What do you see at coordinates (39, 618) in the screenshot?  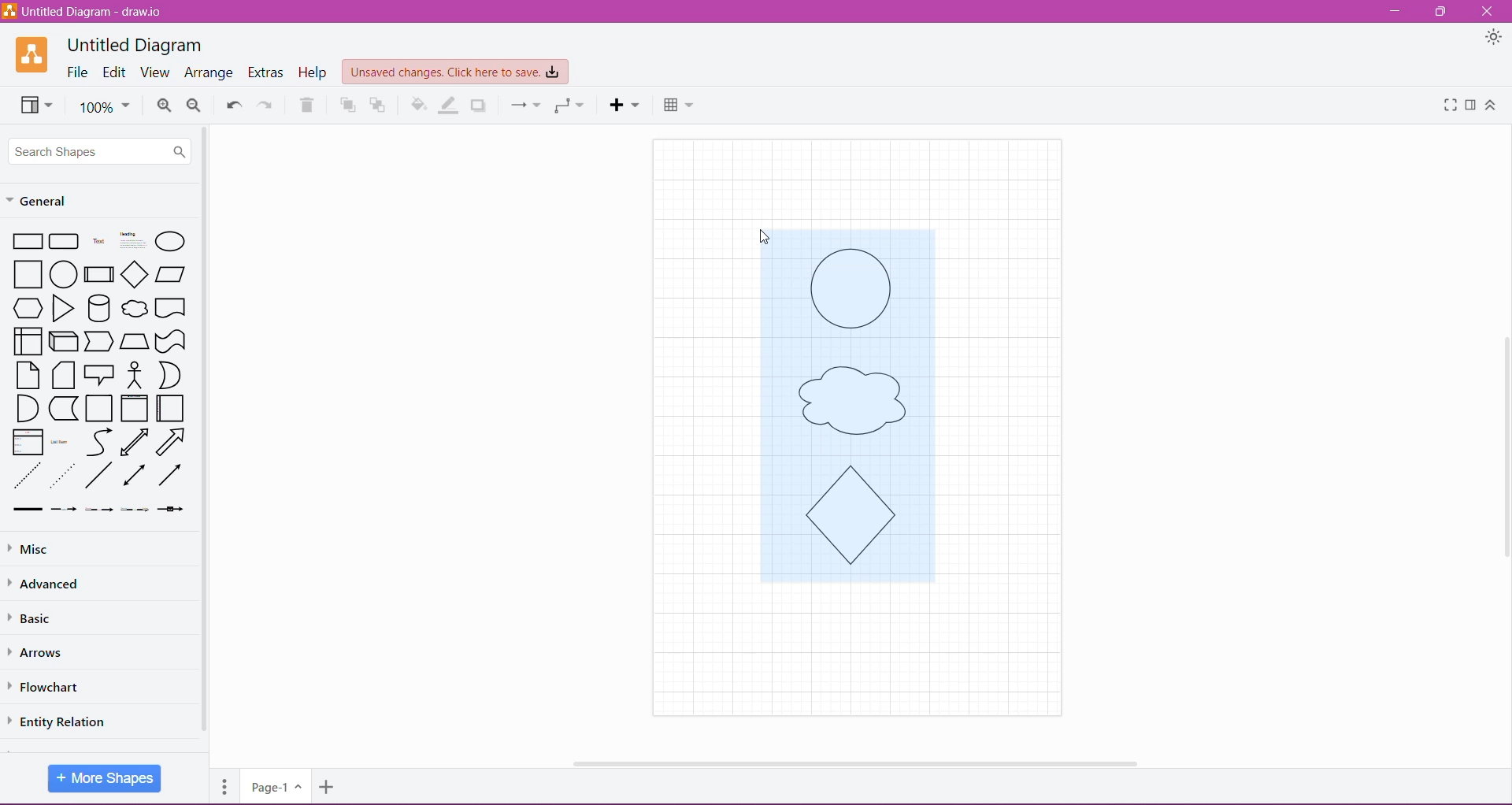 I see `Basic` at bounding box center [39, 618].